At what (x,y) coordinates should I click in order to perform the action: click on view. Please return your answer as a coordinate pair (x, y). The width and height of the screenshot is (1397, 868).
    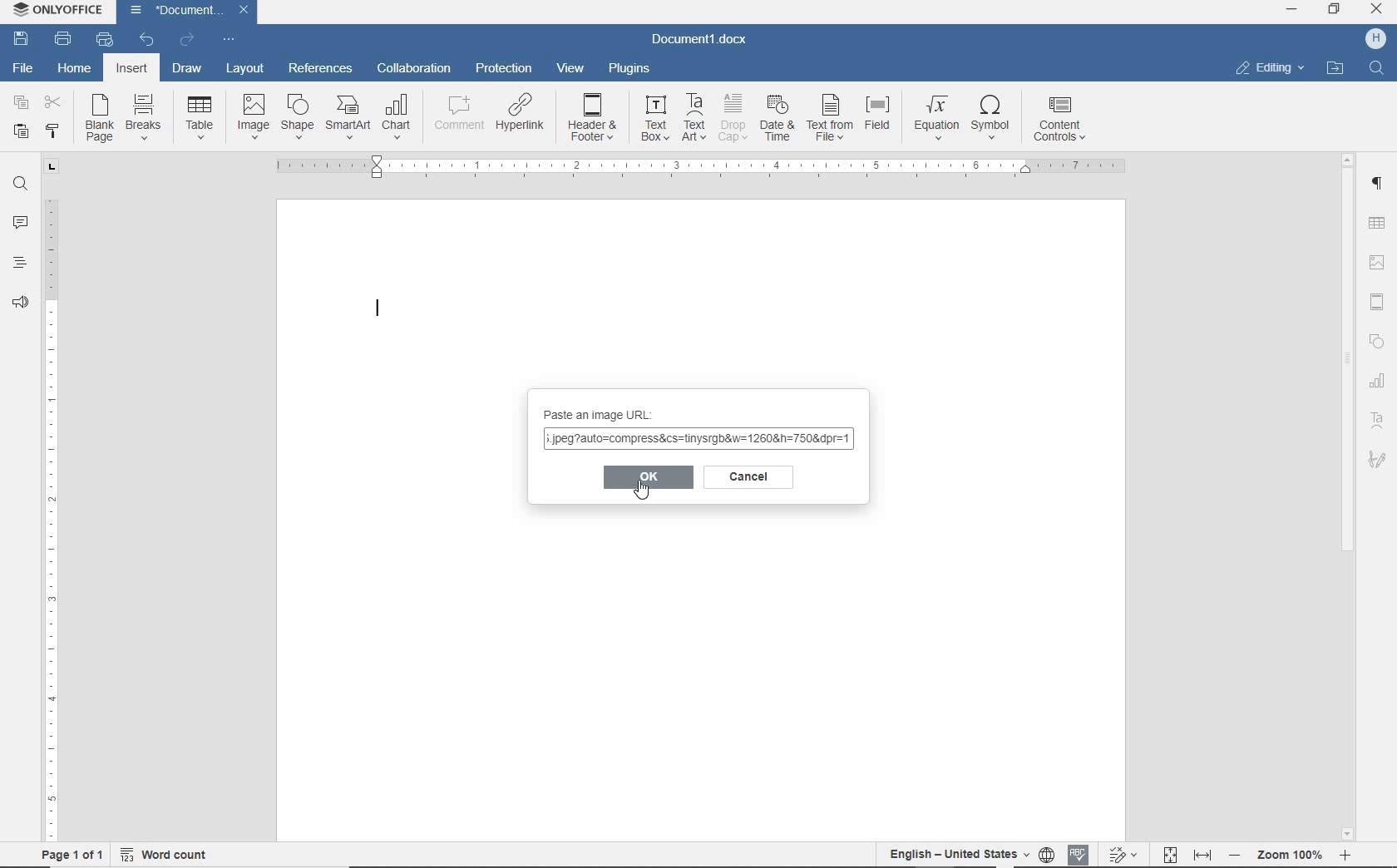
    Looking at the image, I should click on (571, 70).